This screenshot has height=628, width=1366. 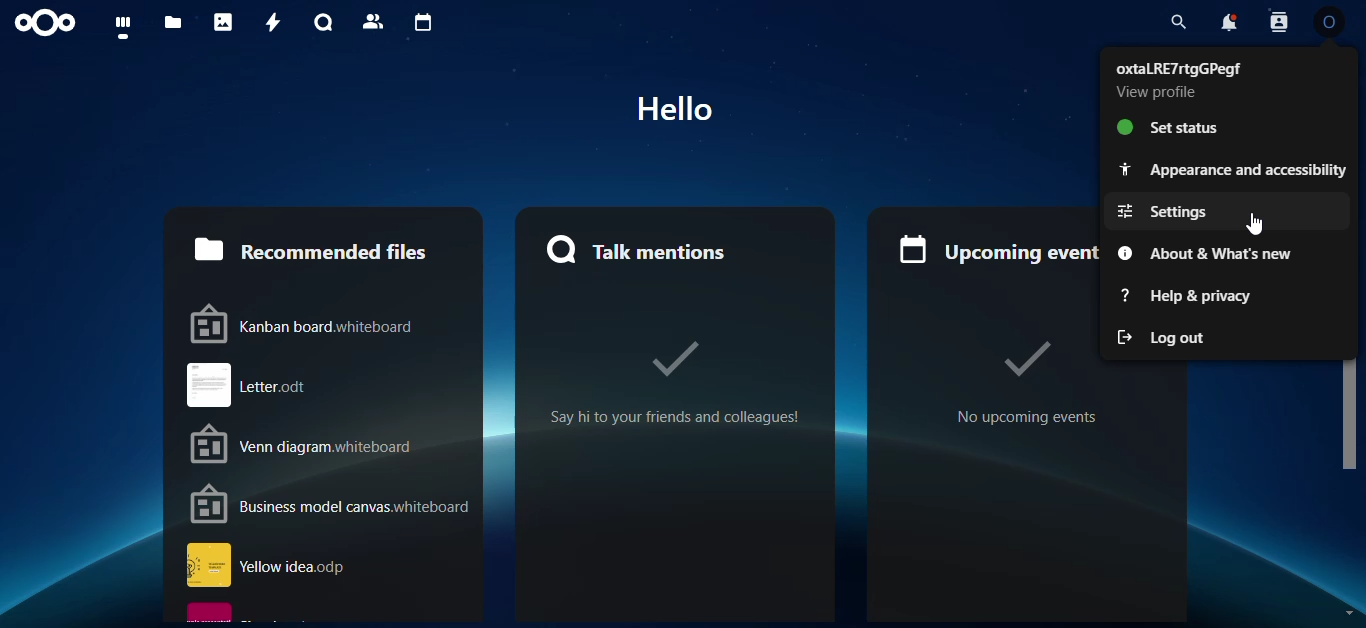 I want to click on log out, so click(x=1228, y=337).